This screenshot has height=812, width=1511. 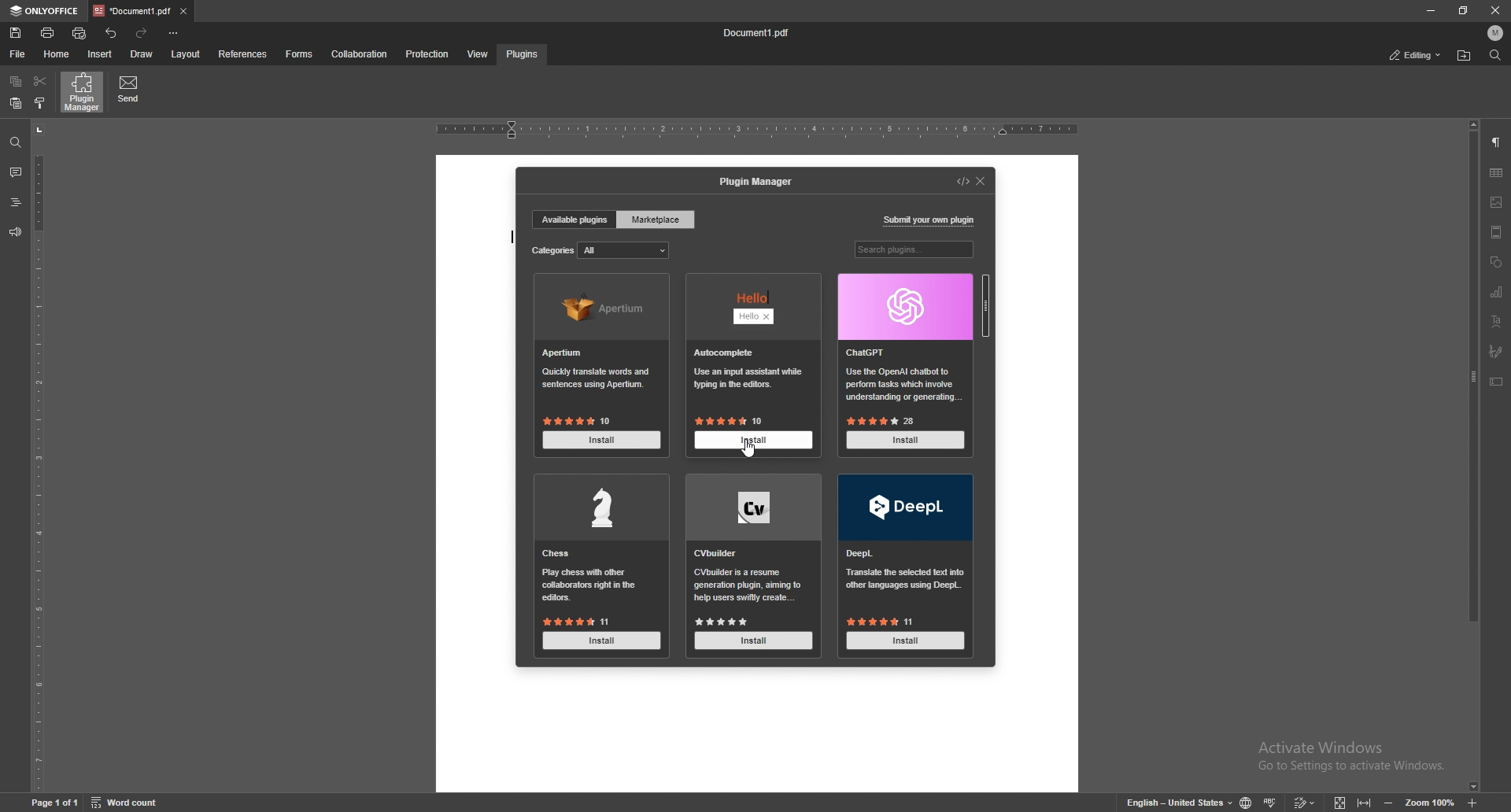 What do you see at coordinates (981, 181) in the screenshot?
I see `close` at bounding box center [981, 181].